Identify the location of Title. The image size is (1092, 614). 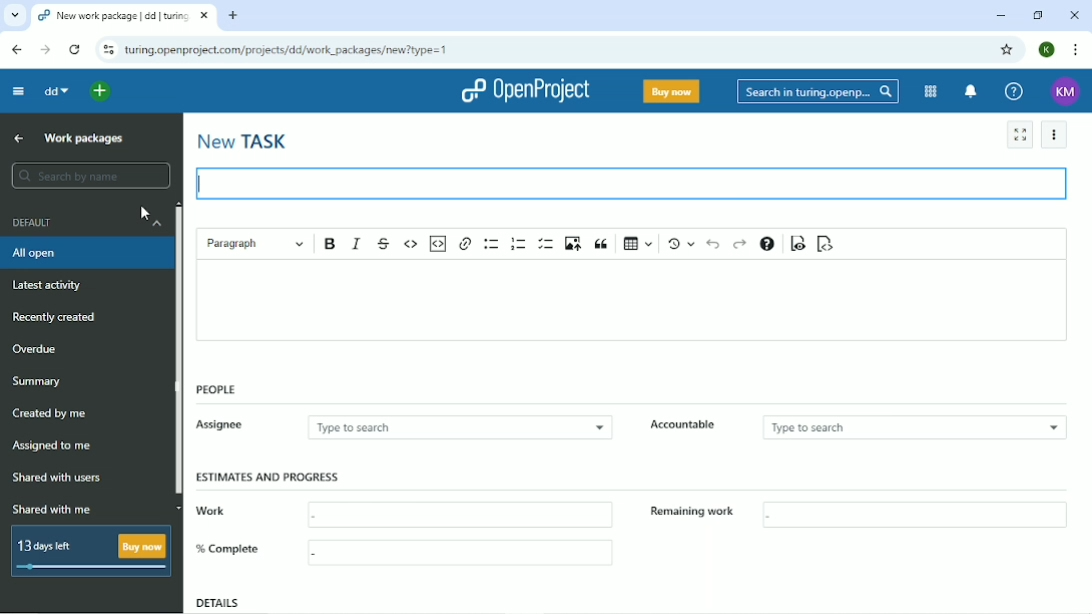
(638, 182).